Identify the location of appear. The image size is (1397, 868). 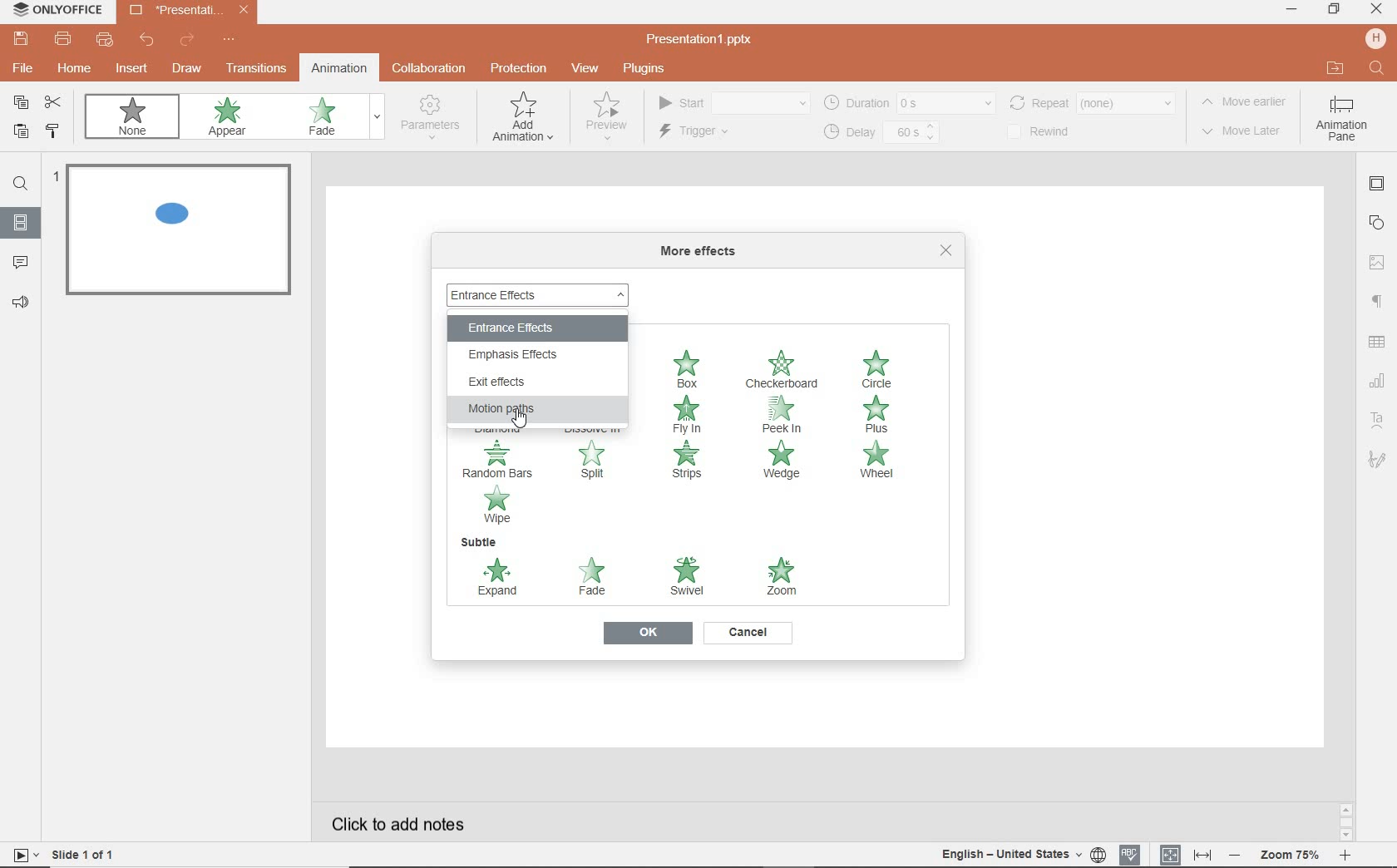
(230, 119).